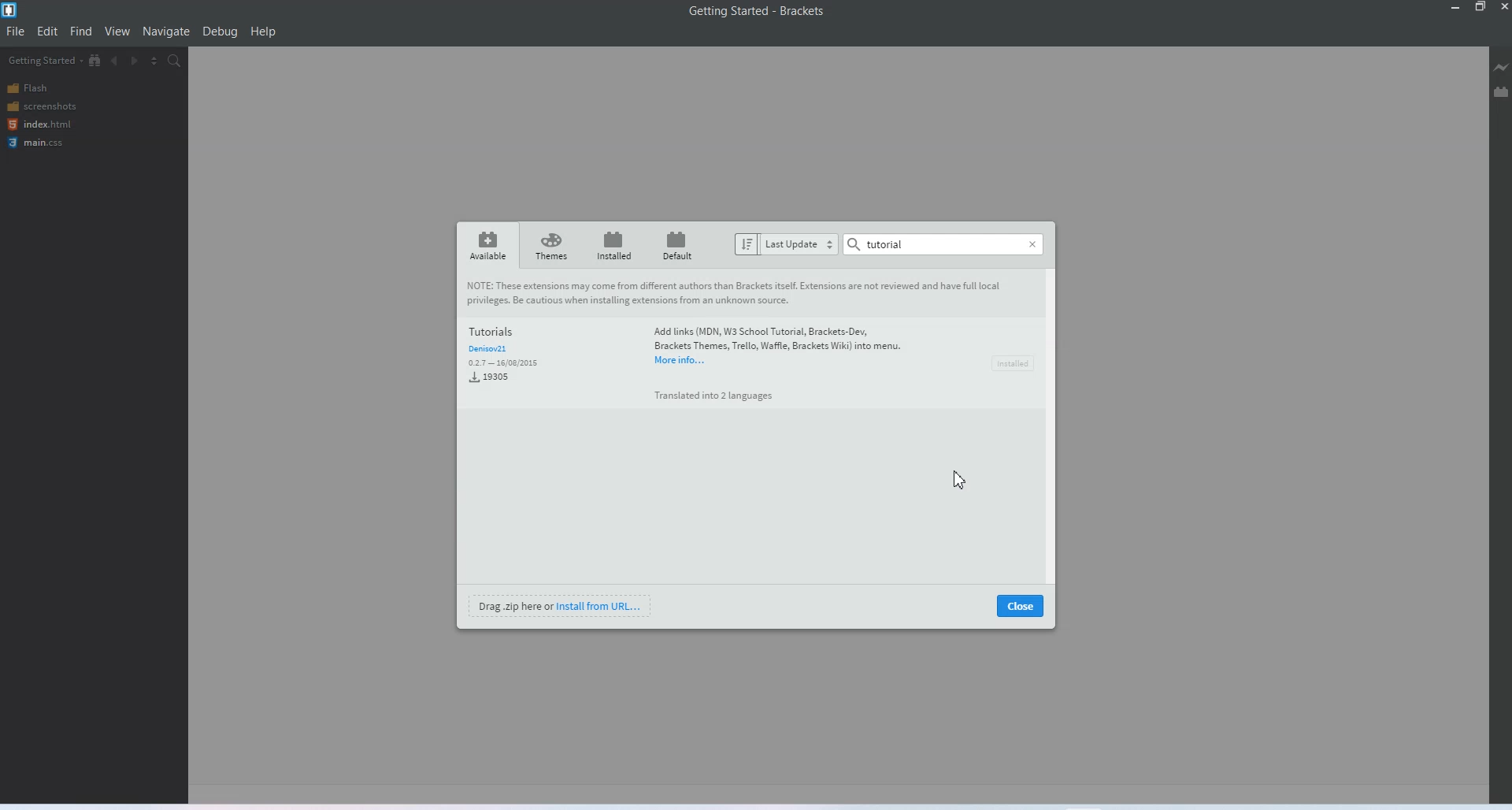 The image size is (1512, 810). What do you see at coordinates (525, 359) in the screenshot?
I see `Tutorials and Download data` at bounding box center [525, 359].